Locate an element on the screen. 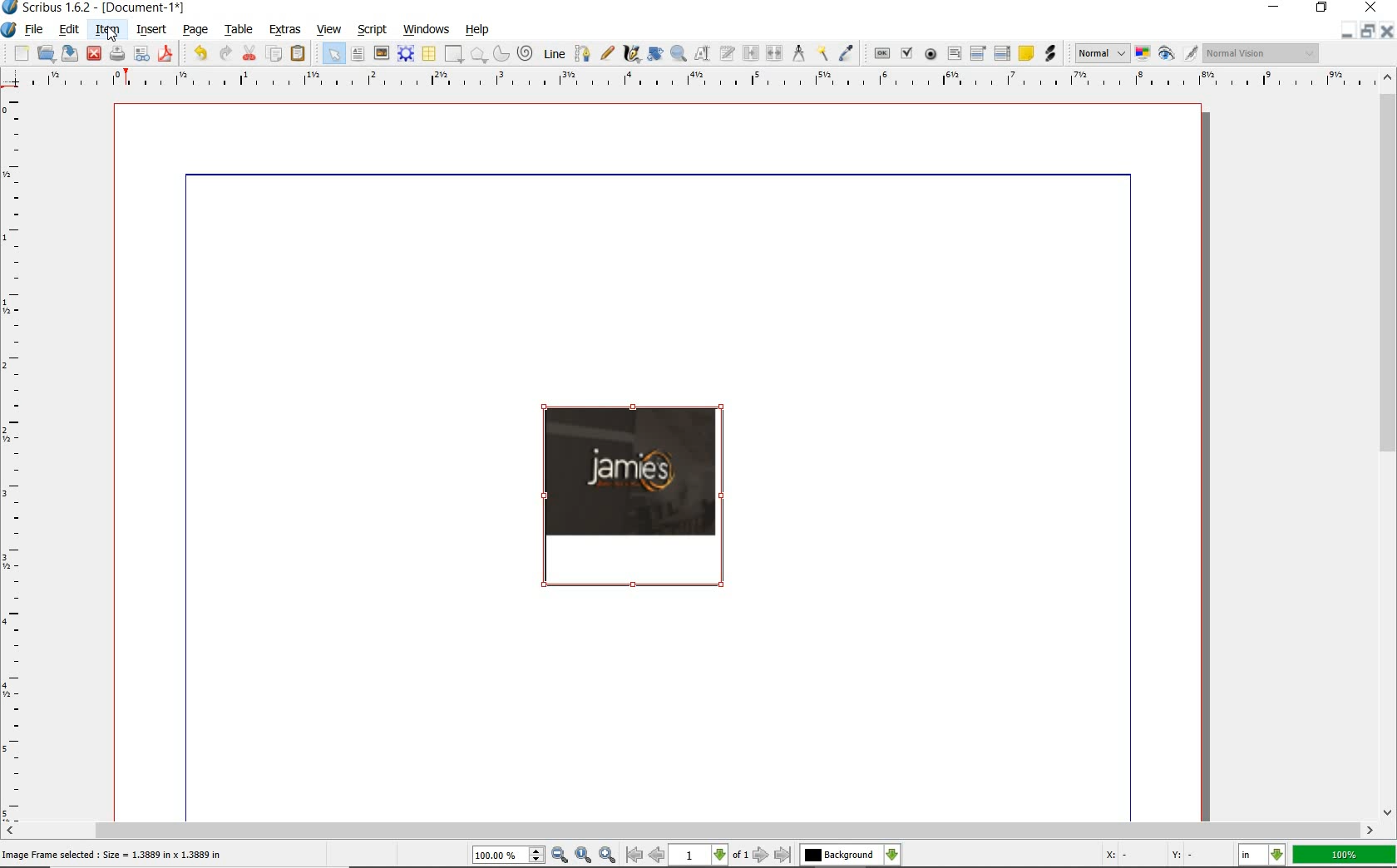  save as pdf is located at coordinates (166, 53).